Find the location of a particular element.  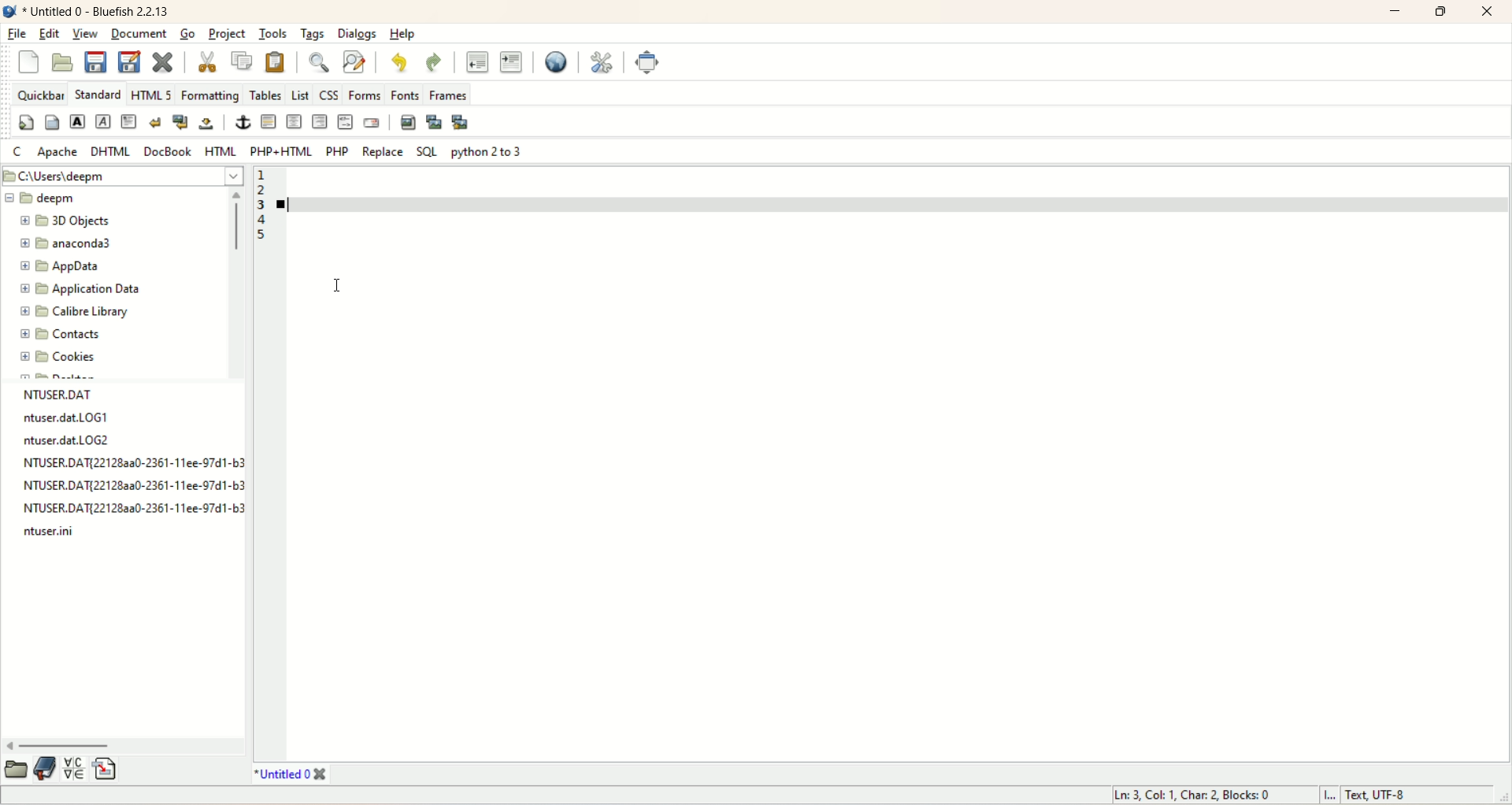

emphasize is located at coordinates (108, 121).